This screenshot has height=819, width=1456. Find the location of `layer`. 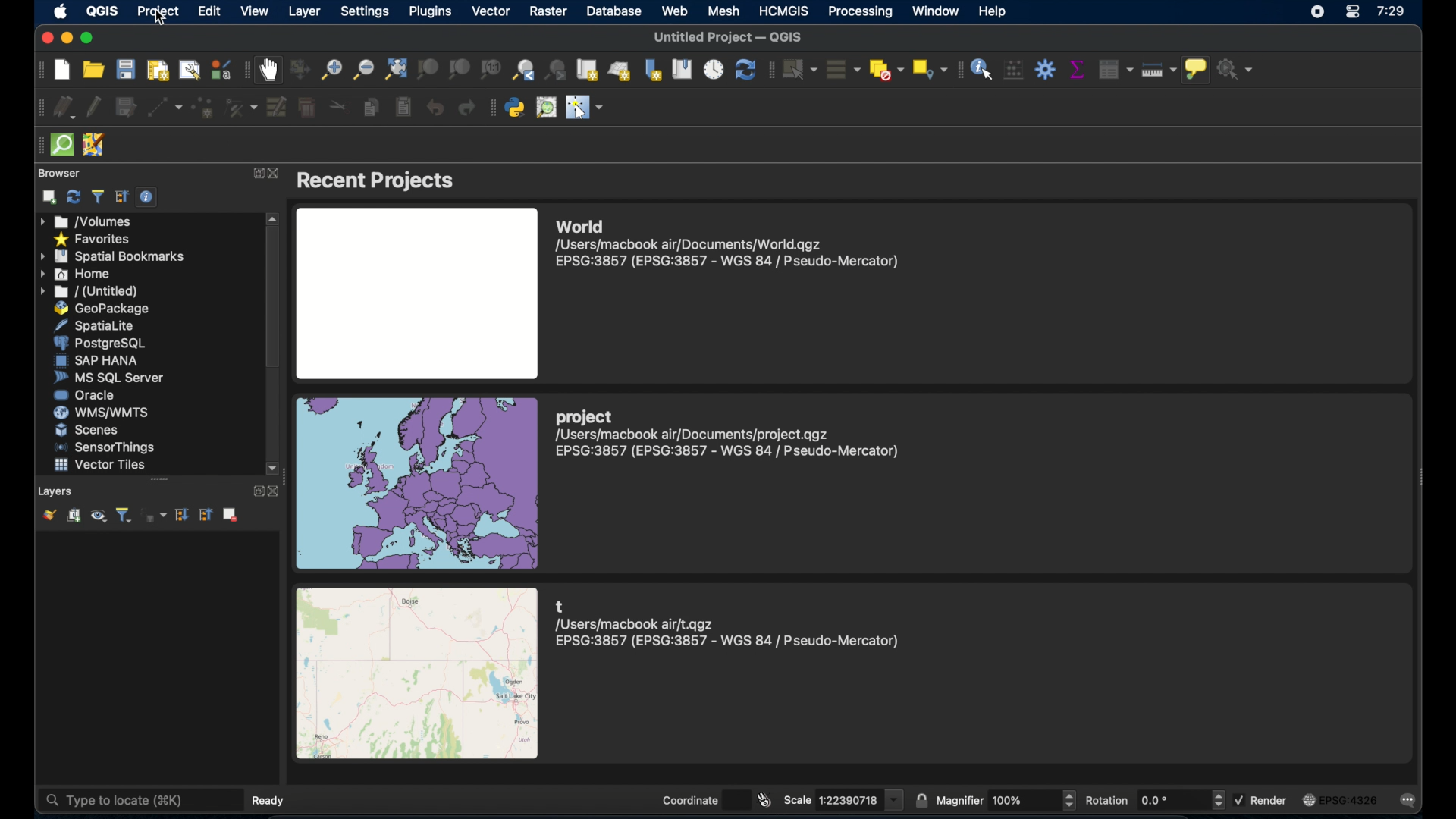

layer is located at coordinates (303, 11).